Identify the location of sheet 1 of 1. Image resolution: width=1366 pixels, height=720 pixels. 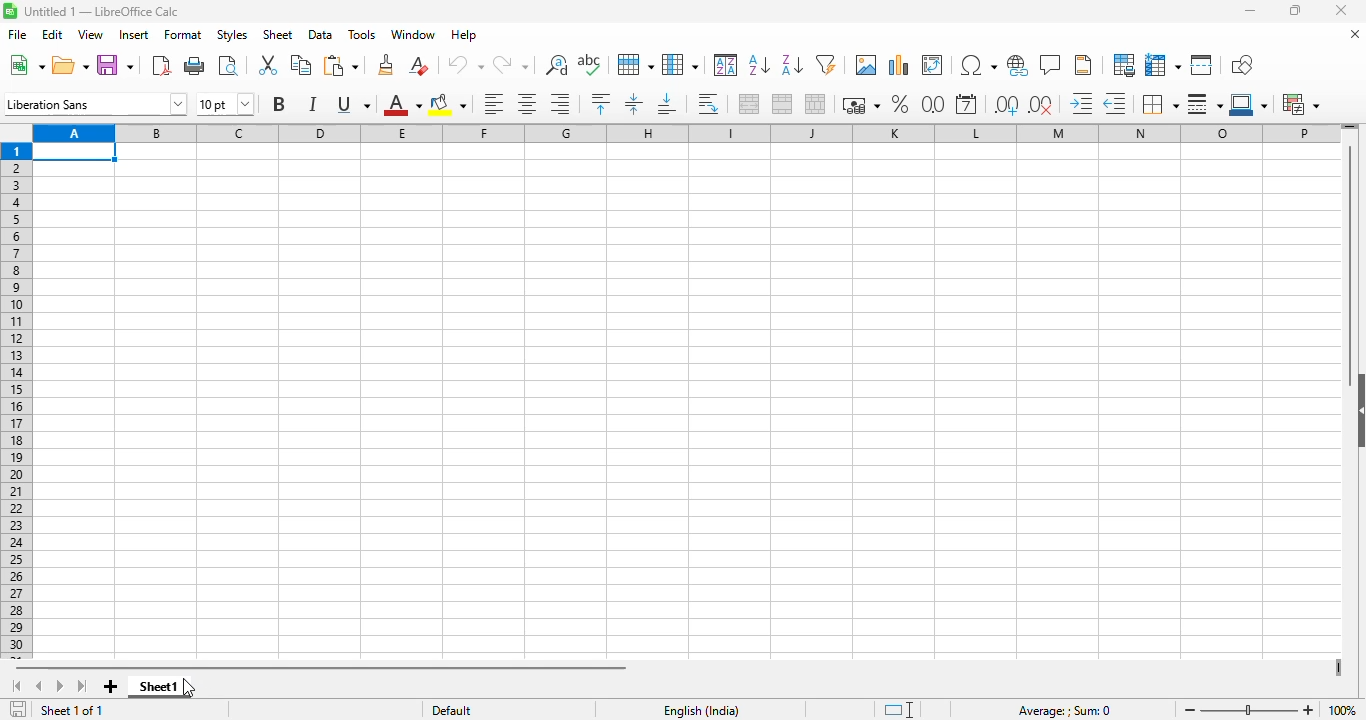
(72, 710).